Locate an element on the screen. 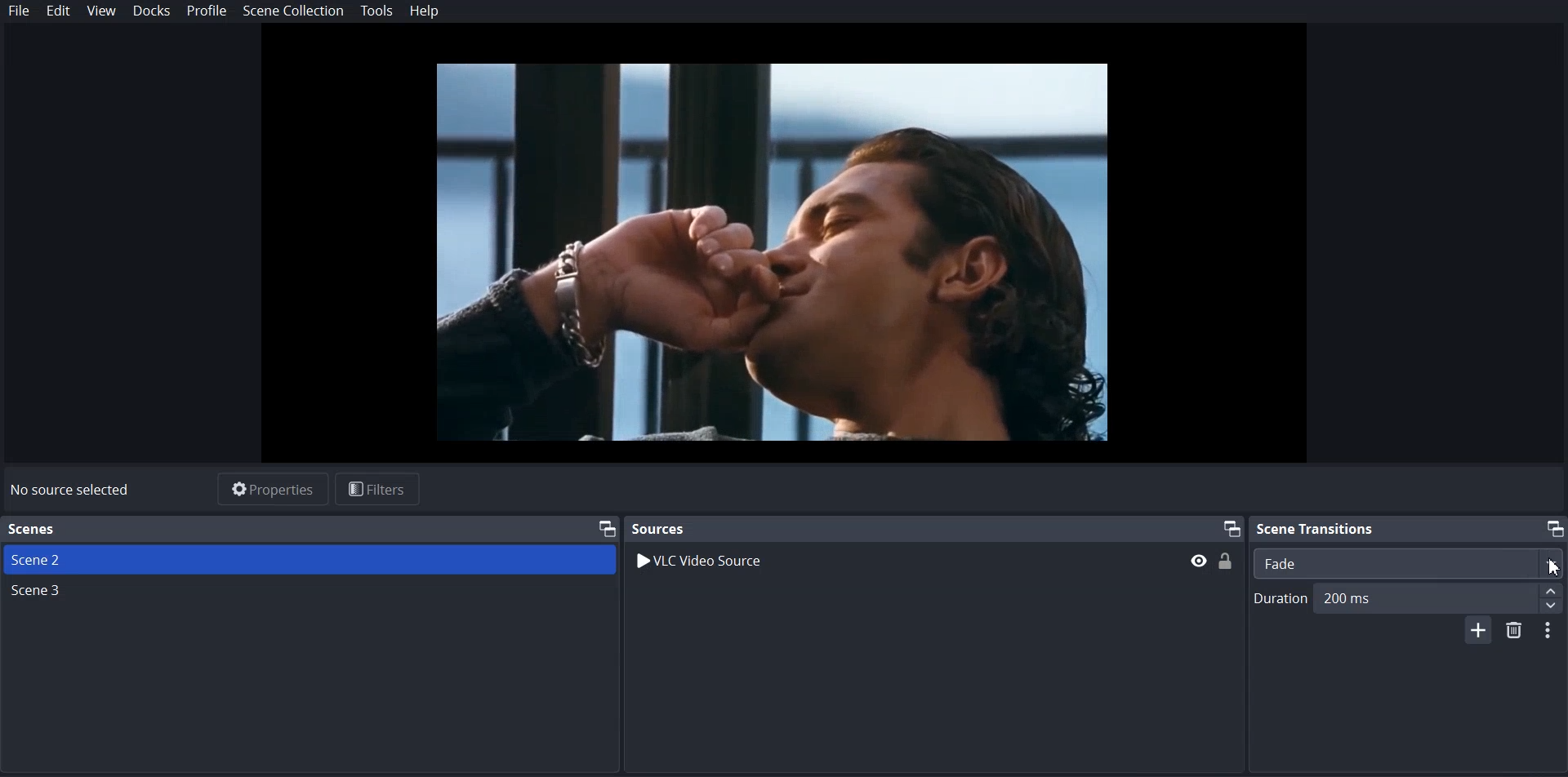 The height and width of the screenshot is (777, 1568). File is located at coordinates (19, 10).